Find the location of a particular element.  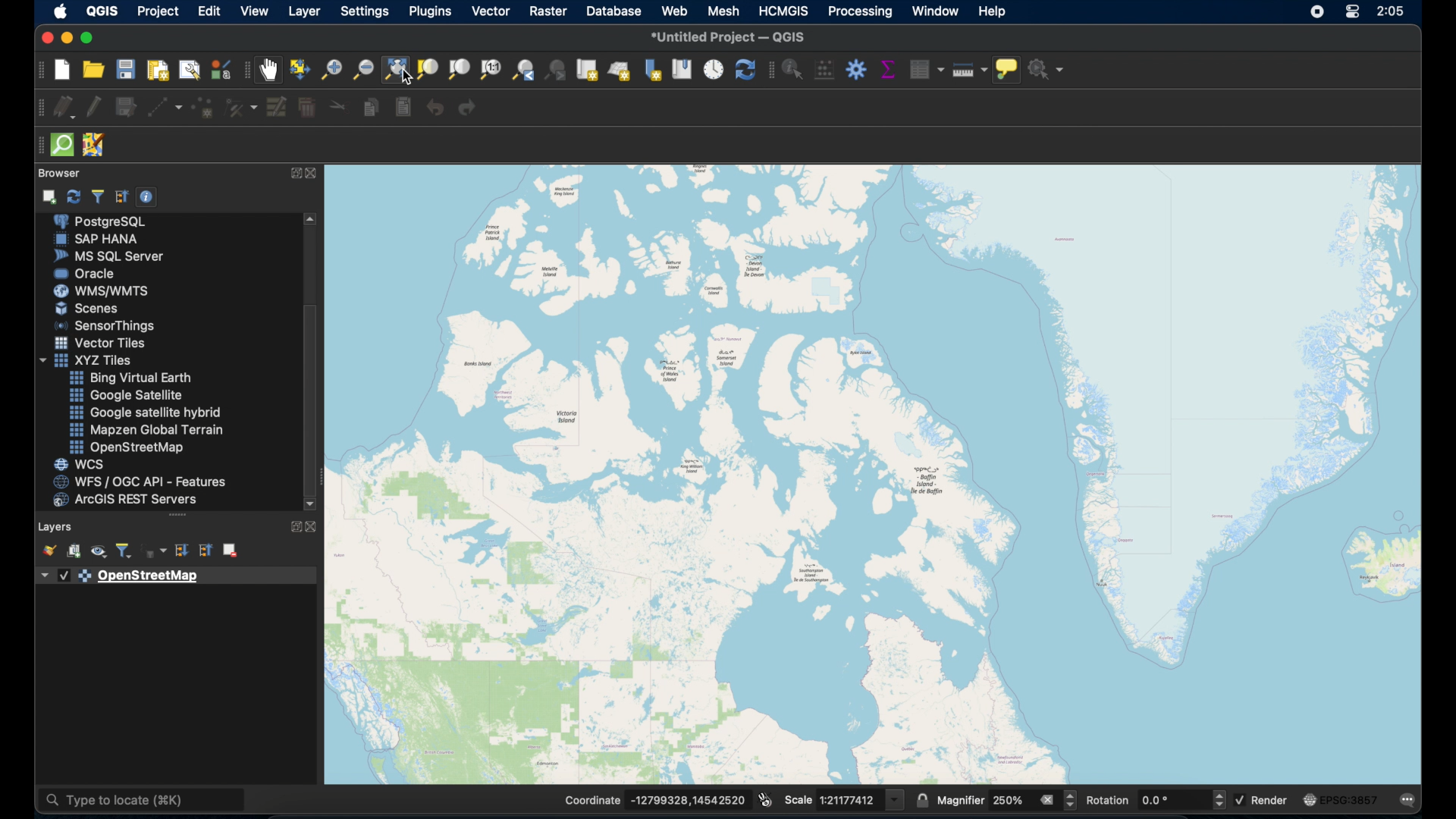

open attribute table is located at coordinates (929, 69).